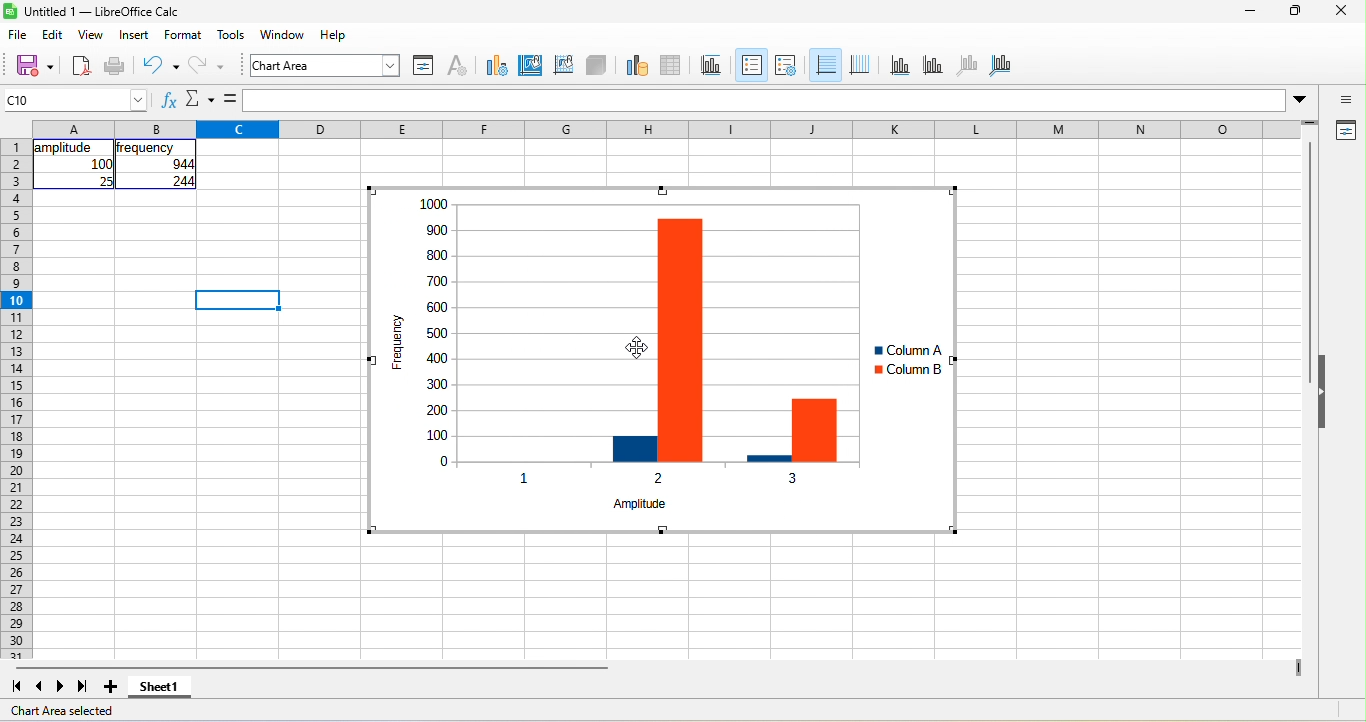  I want to click on cell name, so click(74, 100).